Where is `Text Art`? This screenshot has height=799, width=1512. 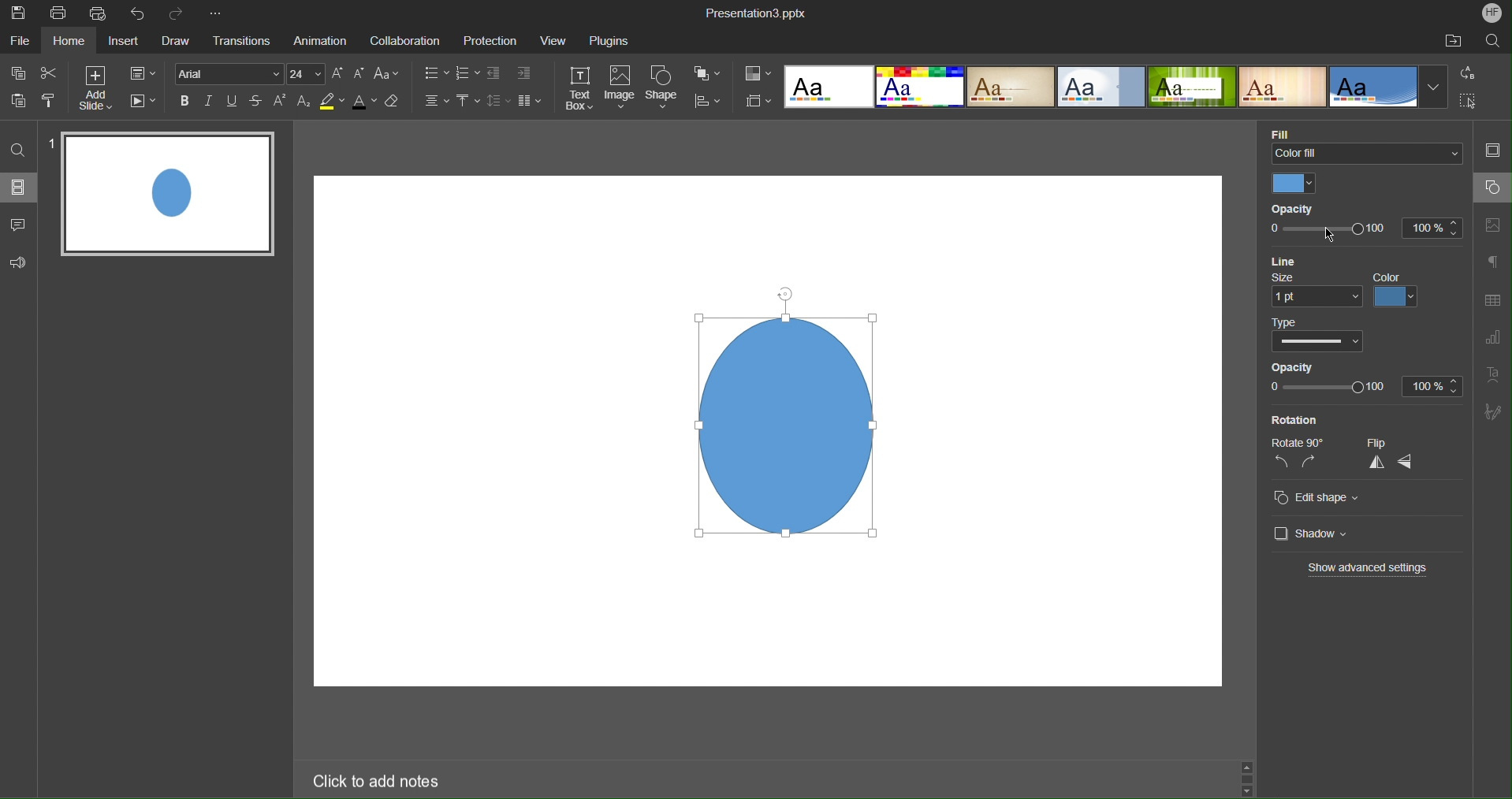 Text Art is located at coordinates (1494, 376).